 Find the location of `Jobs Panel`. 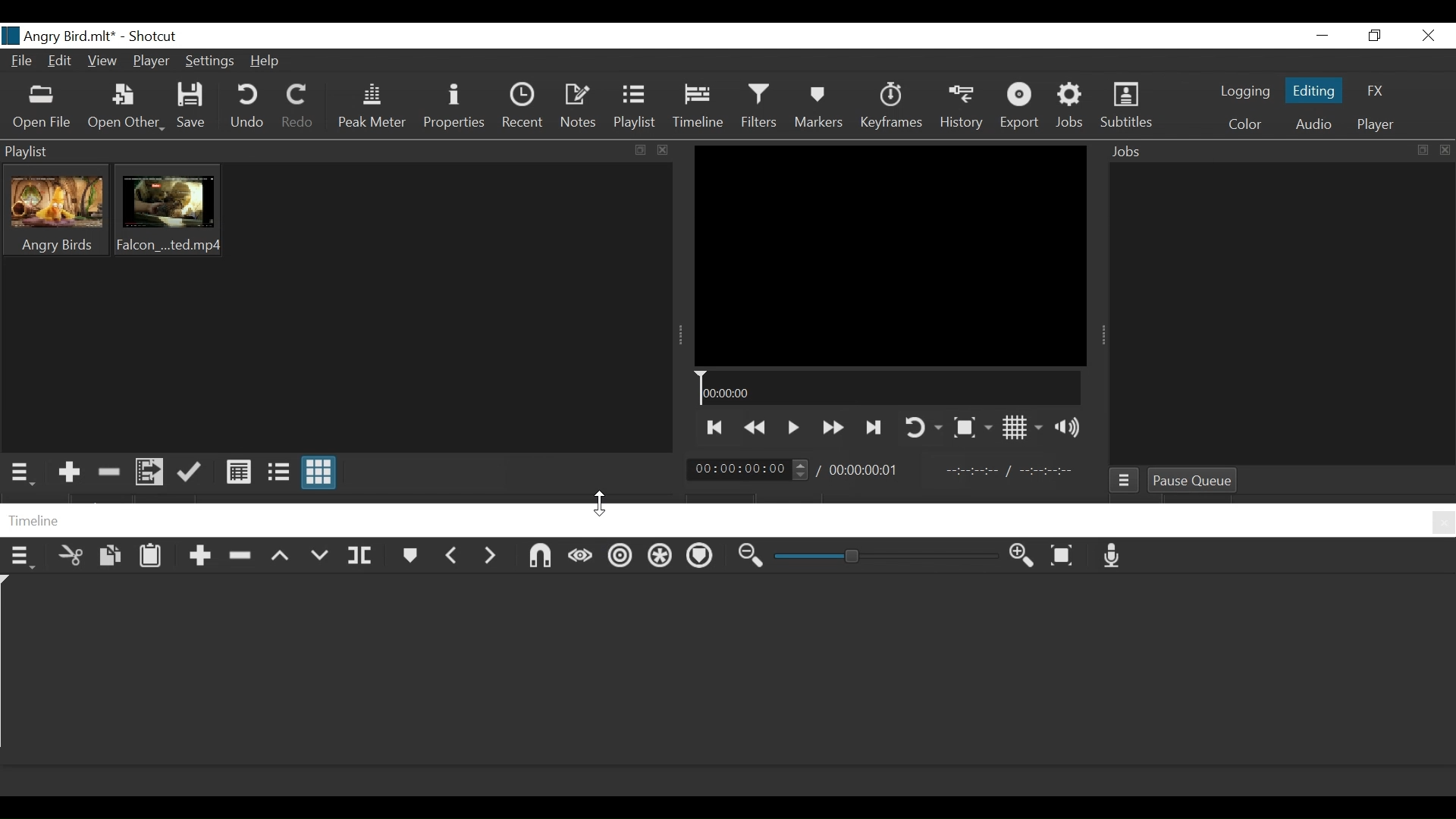

Jobs Panel is located at coordinates (1279, 151).